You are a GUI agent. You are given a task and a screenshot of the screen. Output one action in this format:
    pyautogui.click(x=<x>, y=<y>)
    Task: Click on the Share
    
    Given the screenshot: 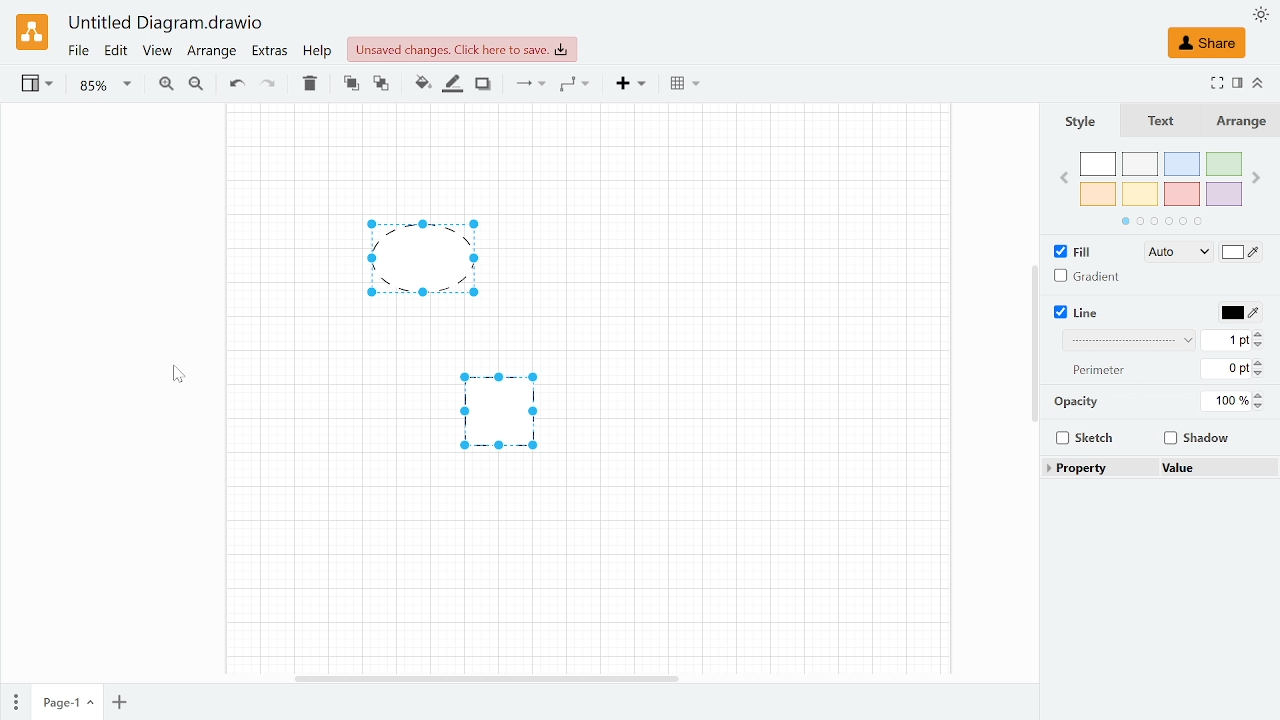 What is the action you would take?
    pyautogui.click(x=1206, y=43)
    